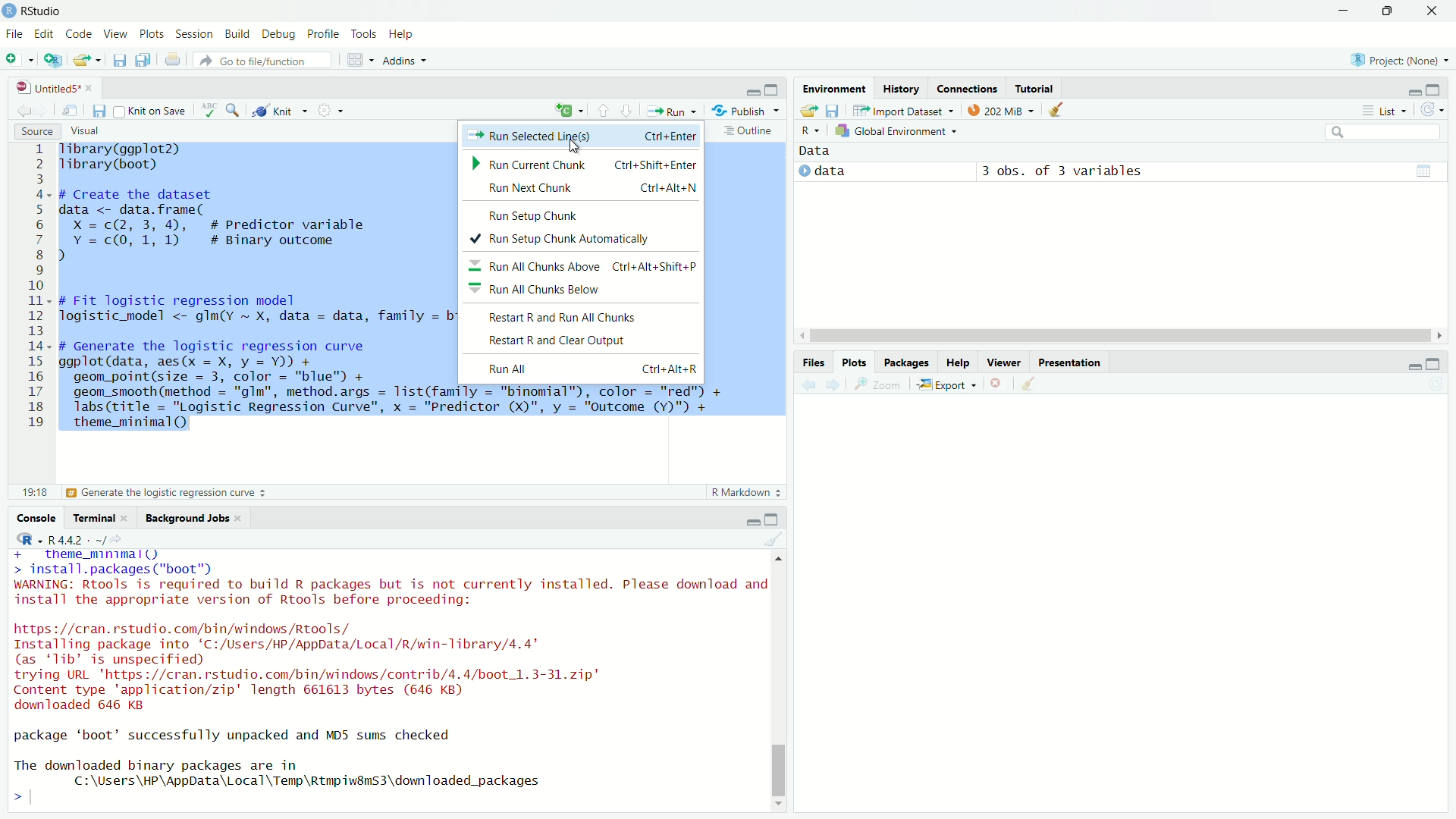  What do you see at coordinates (584, 264) in the screenshot?
I see `— Run All Chunks Above  Ctrl+Alt+Shift+P` at bounding box center [584, 264].